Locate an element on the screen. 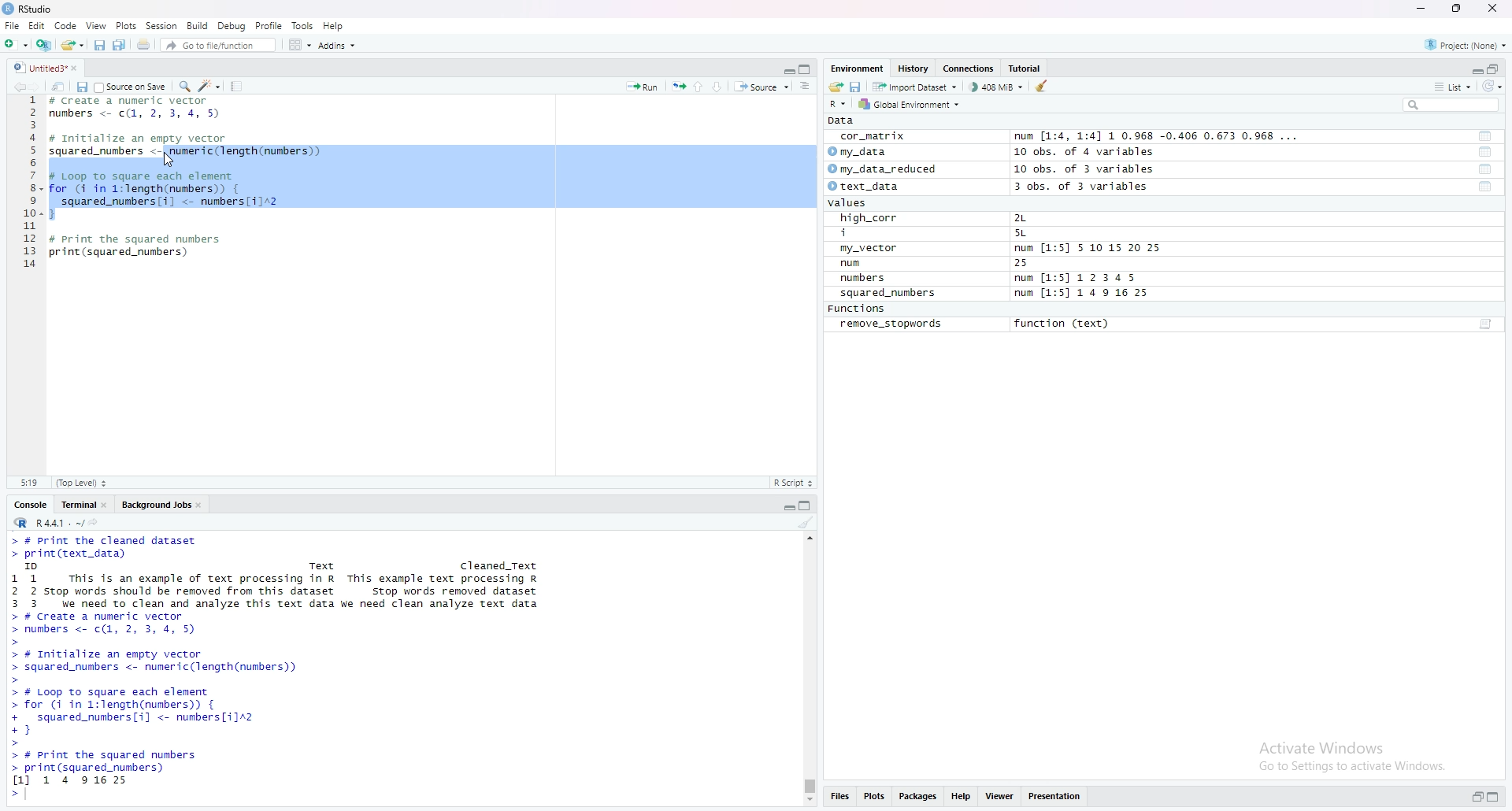  save is located at coordinates (81, 86).